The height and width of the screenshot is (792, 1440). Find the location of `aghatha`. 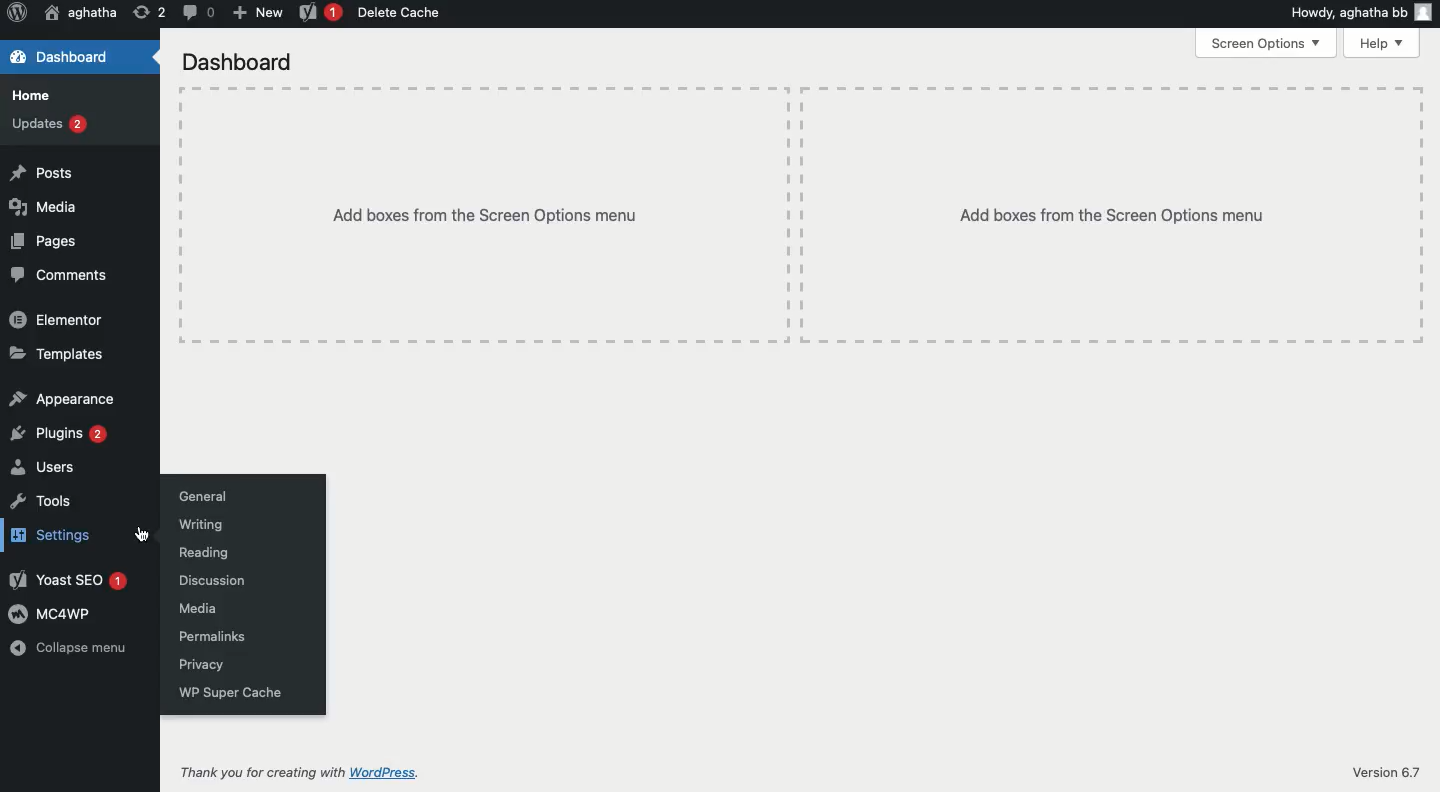

aghatha is located at coordinates (81, 11).